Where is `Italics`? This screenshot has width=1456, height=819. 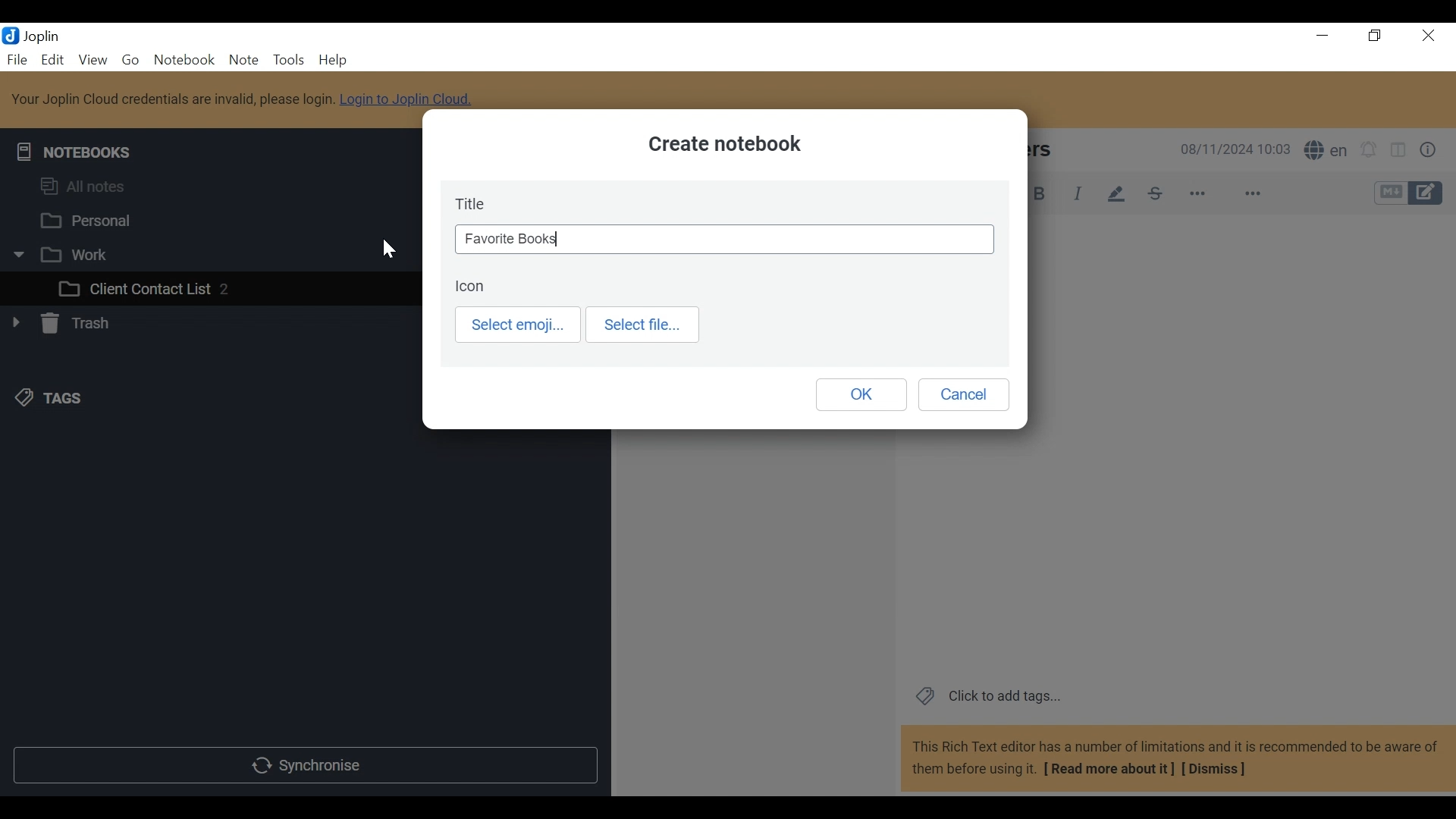 Italics is located at coordinates (1081, 192).